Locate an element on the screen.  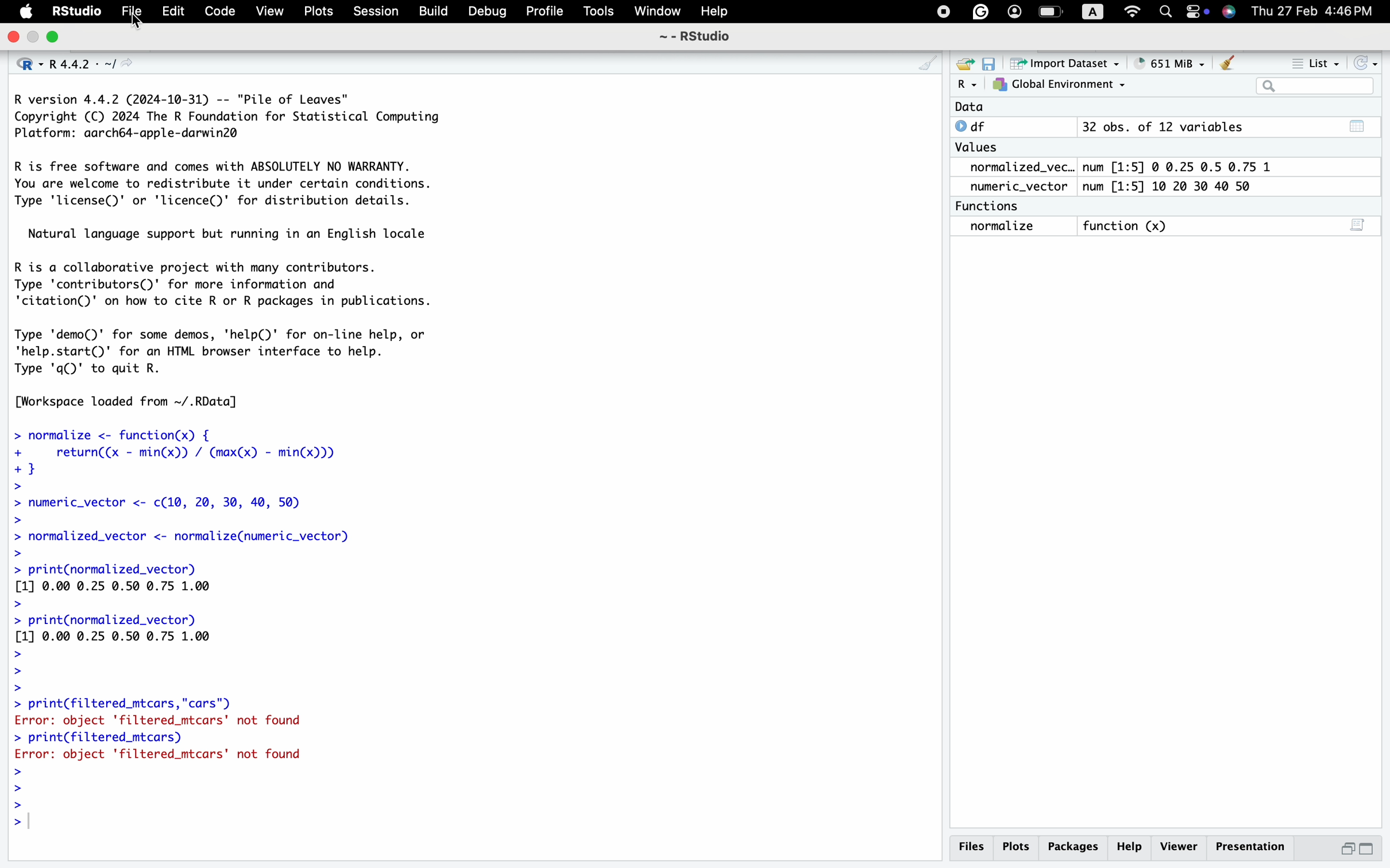
RStudio is located at coordinates (78, 11).